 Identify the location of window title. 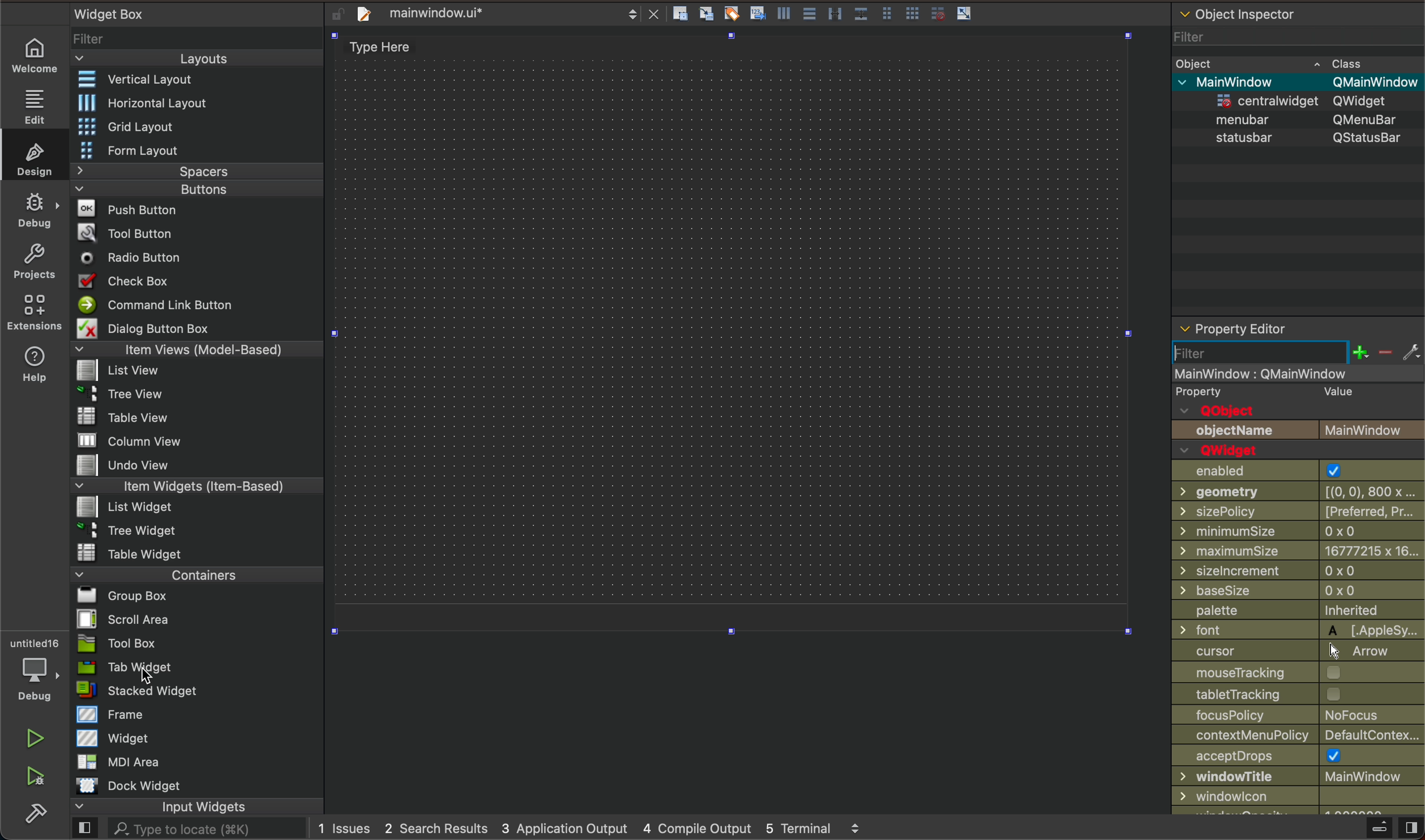
(1299, 777).